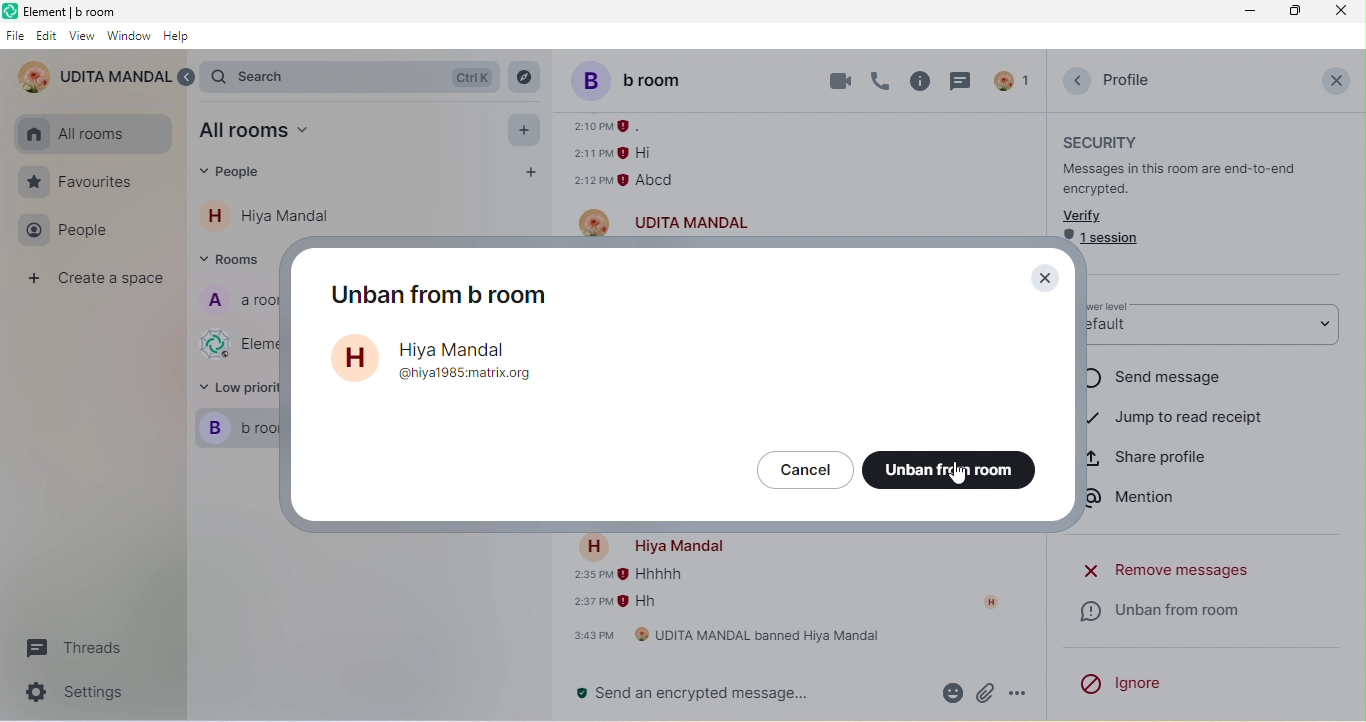  What do you see at coordinates (1104, 238) in the screenshot?
I see `1 session` at bounding box center [1104, 238].